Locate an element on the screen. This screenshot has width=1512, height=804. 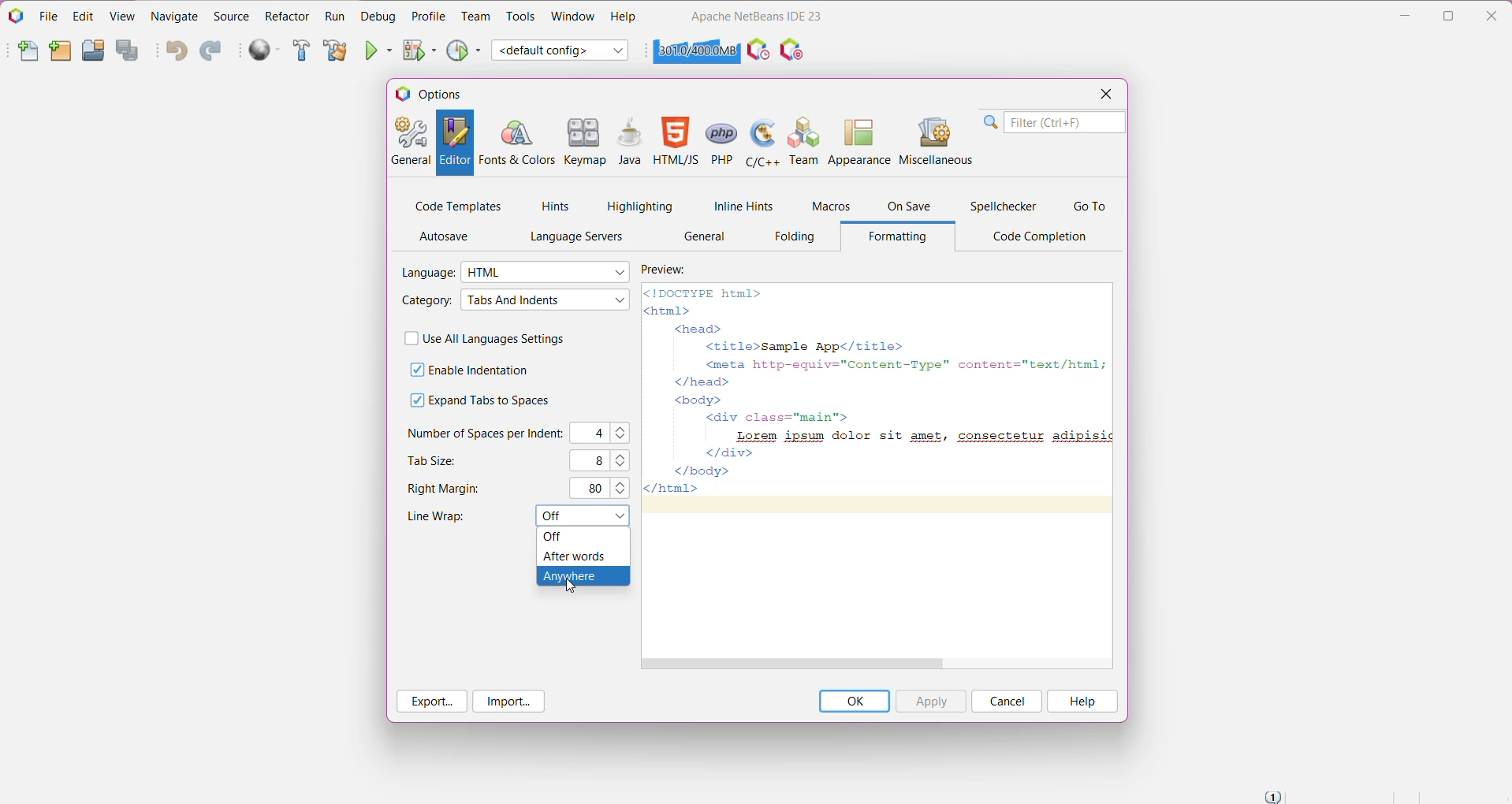
Save All is located at coordinates (130, 51).